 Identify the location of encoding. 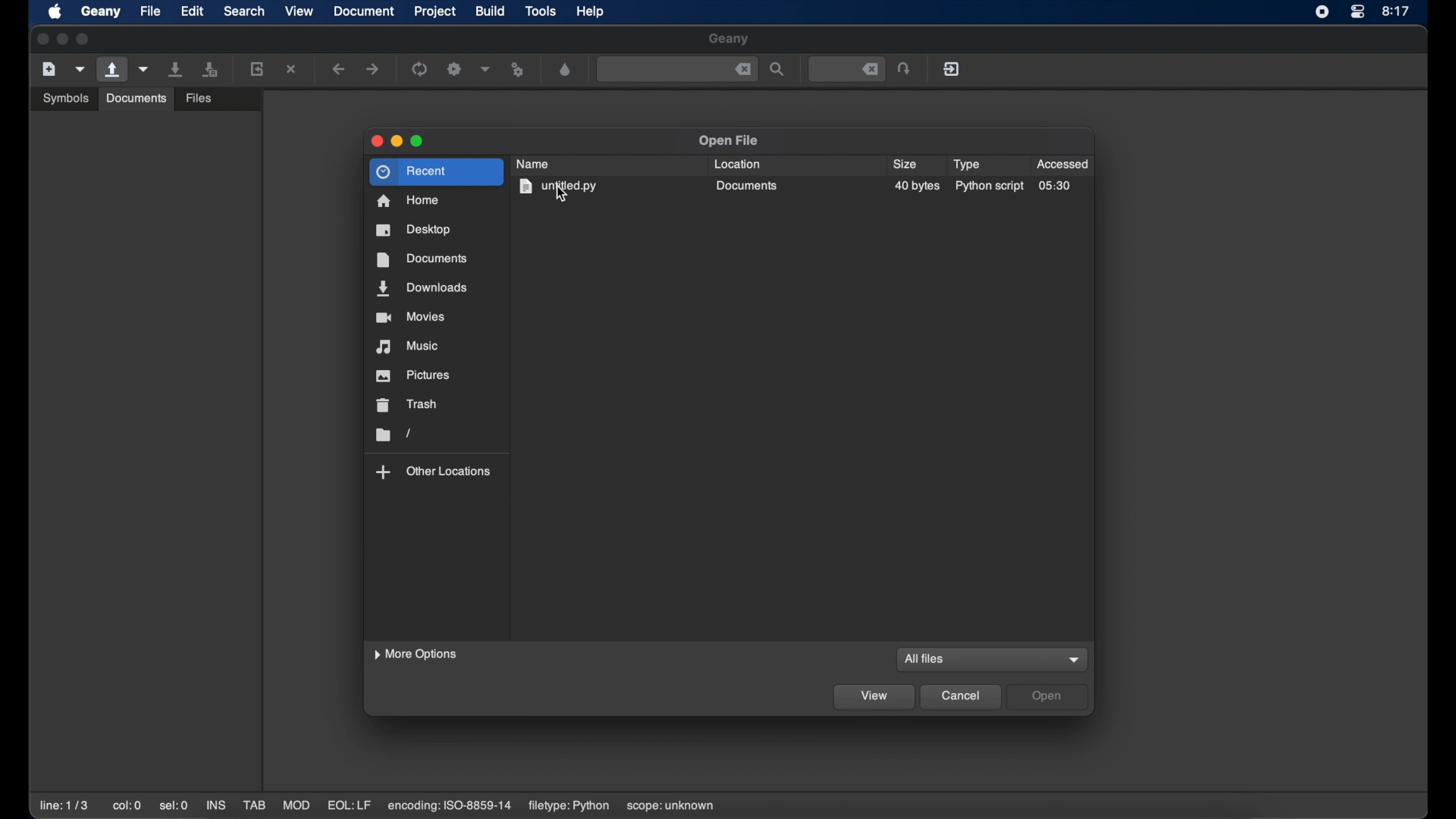
(450, 806).